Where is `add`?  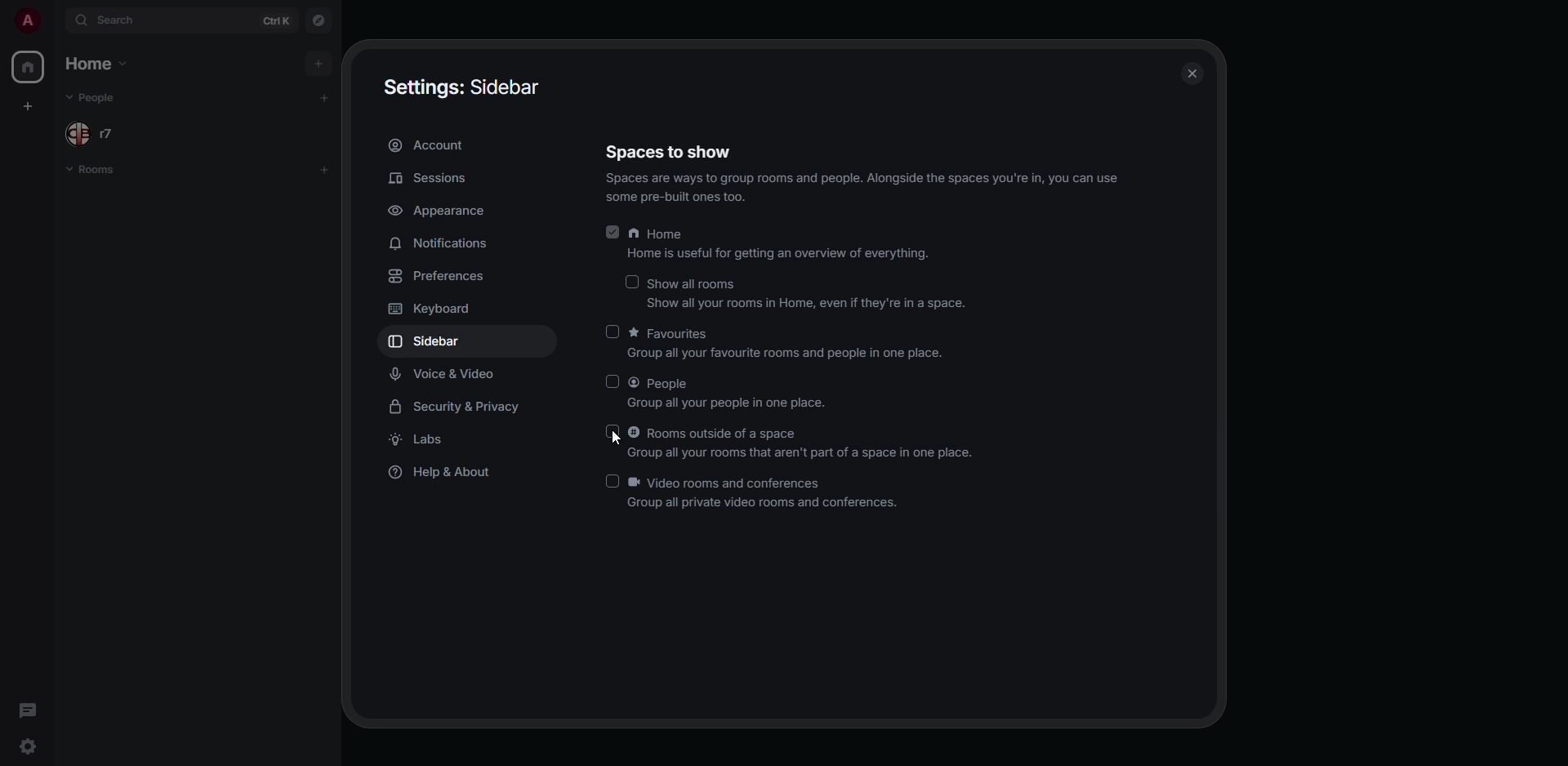 add is located at coordinates (325, 170).